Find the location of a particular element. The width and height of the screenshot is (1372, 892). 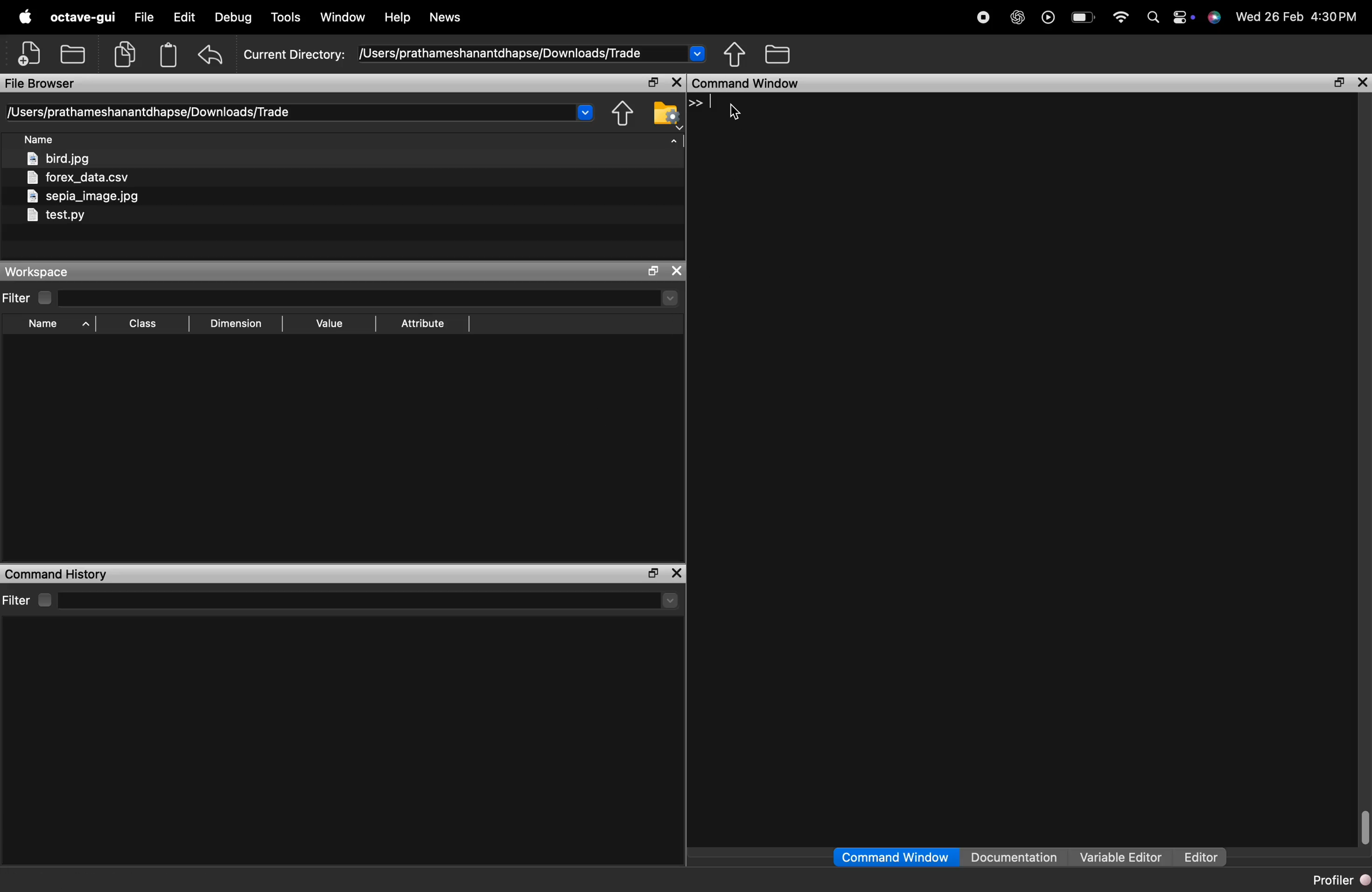

edit is located at coordinates (184, 17).